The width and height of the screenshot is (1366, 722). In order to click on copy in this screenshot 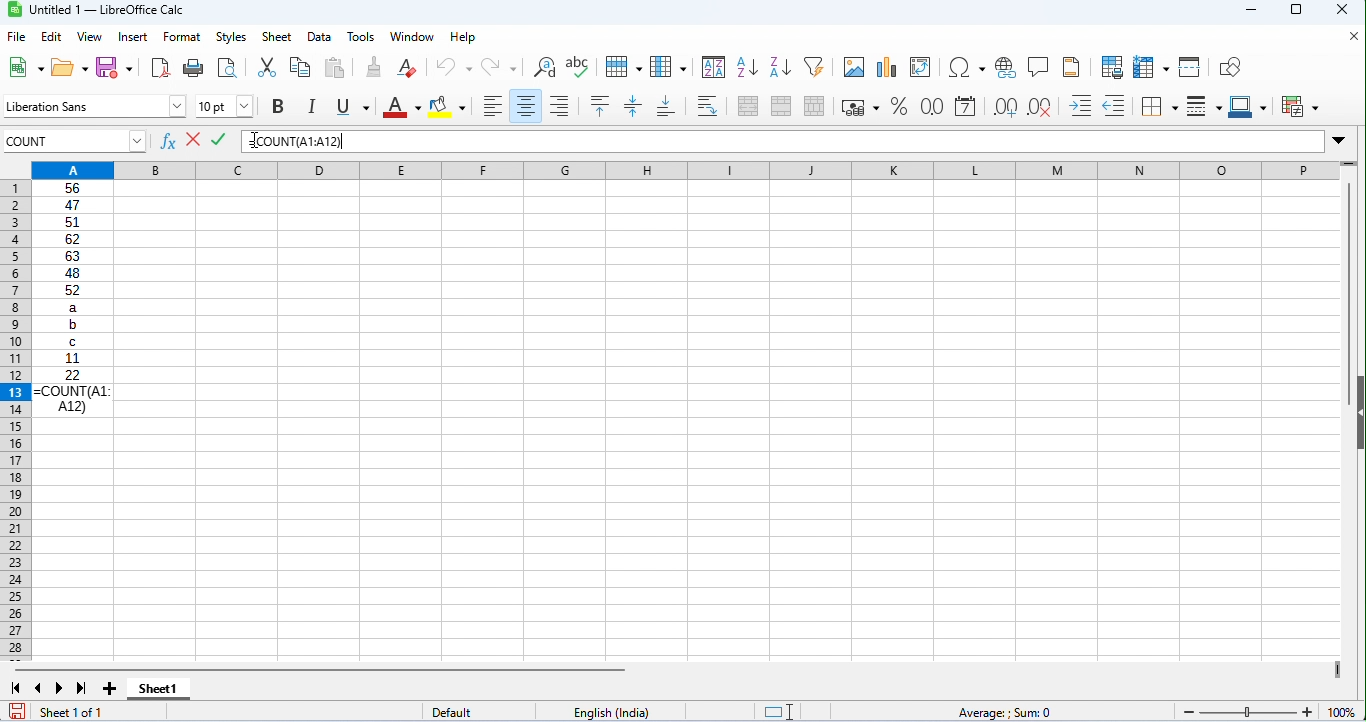, I will do `click(300, 68)`.